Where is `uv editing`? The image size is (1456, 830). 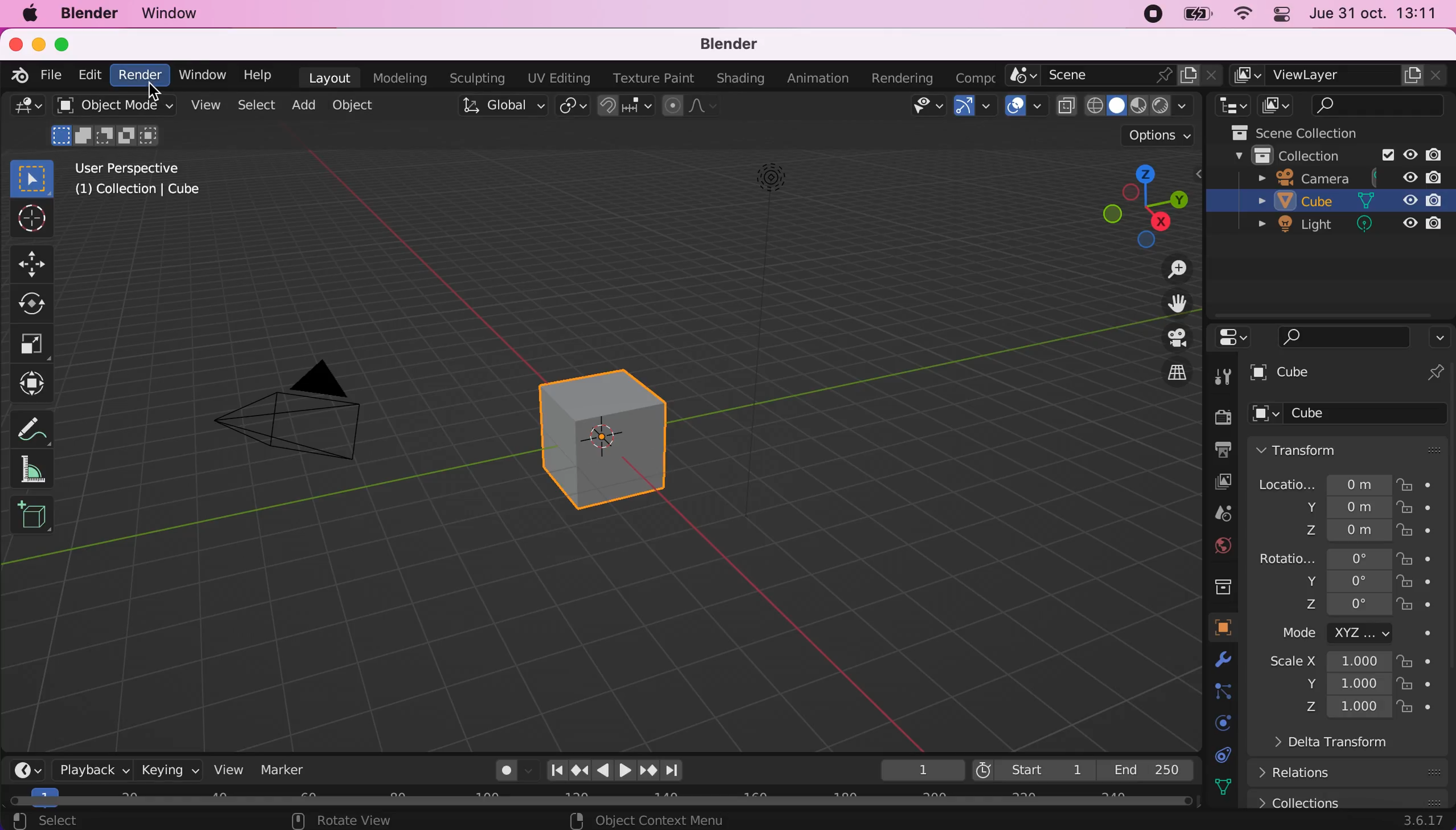
uv editing is located at coordinates (560, 76).